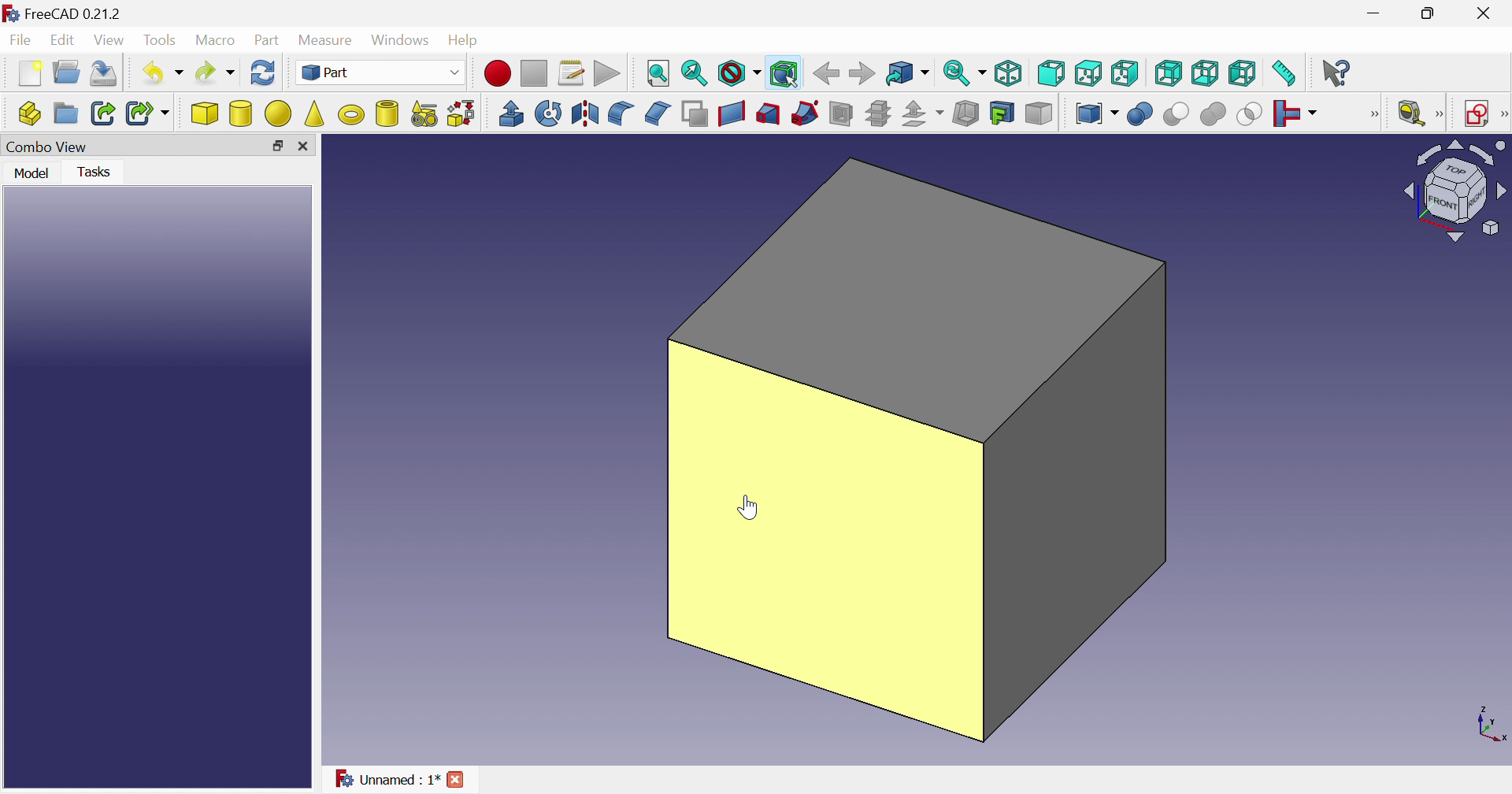 The width and height of the screenshot is (1512, 794). I want to click on Chamfer..., so click(656, 112).